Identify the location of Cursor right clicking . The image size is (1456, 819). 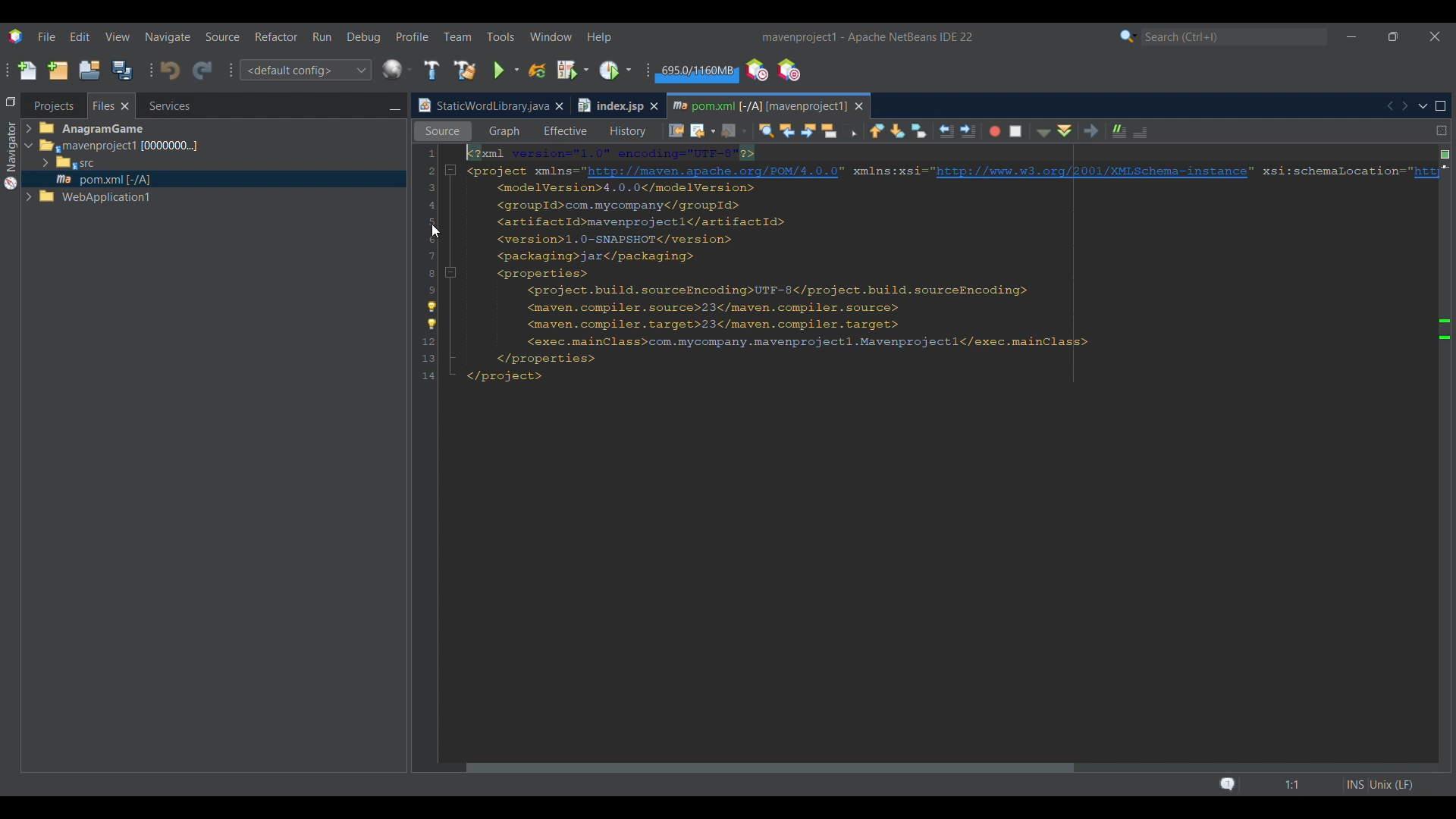
(436, 231).